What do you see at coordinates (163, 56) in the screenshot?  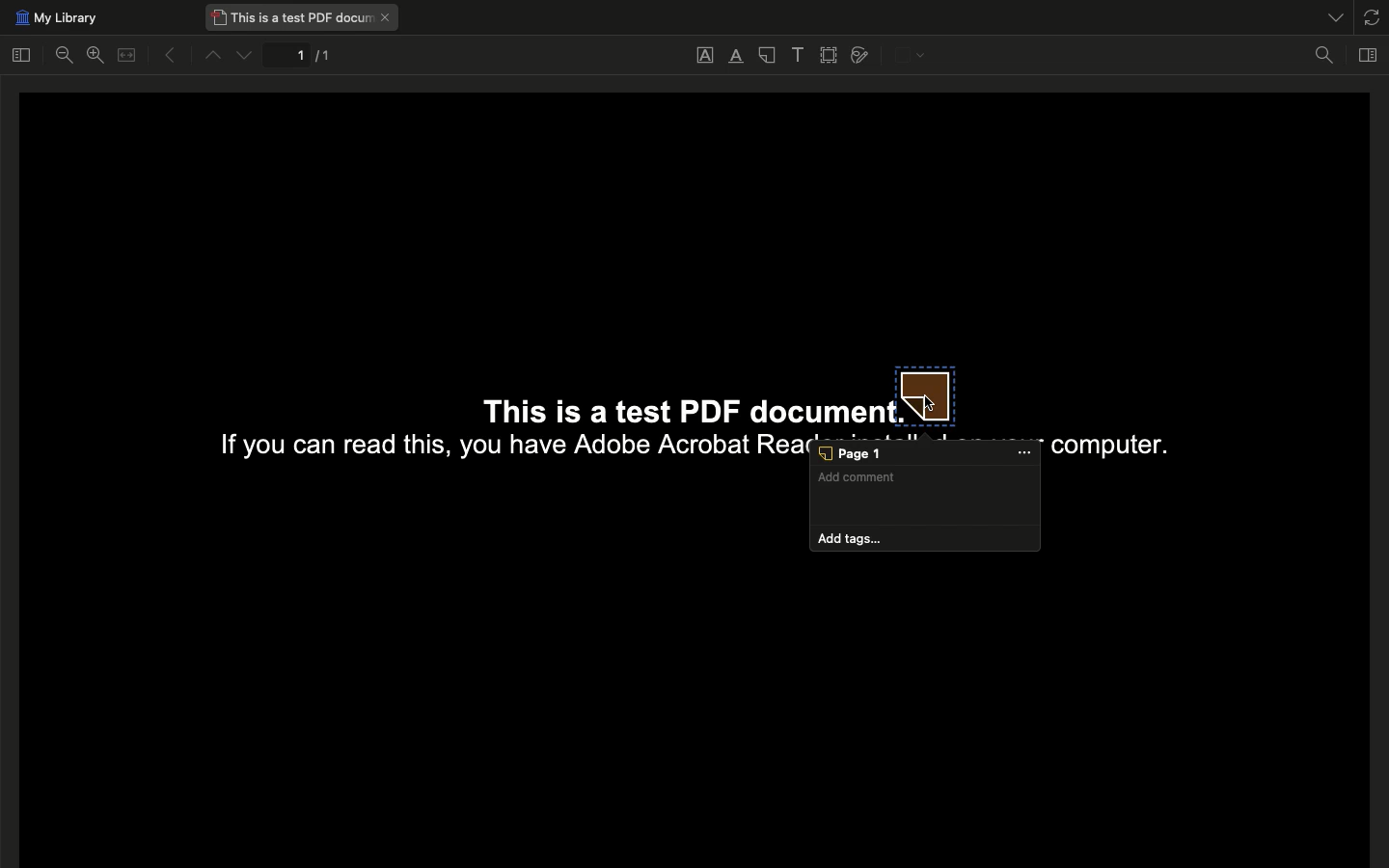 I see `Previous` at bounding box center [163, 56].